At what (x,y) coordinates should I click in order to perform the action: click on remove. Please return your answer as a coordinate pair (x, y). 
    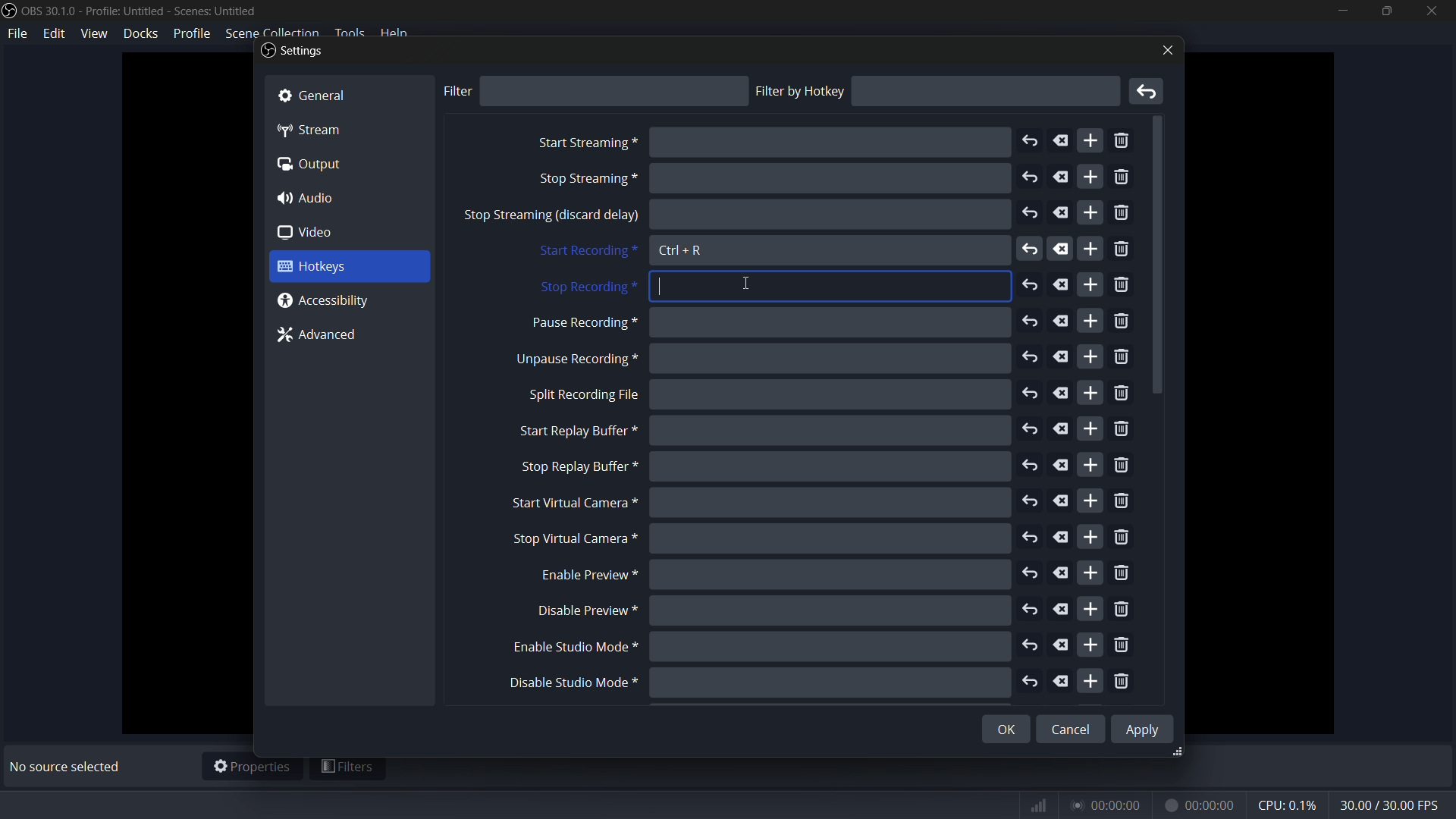
    Looking at the image, I should click on (1123, 538).